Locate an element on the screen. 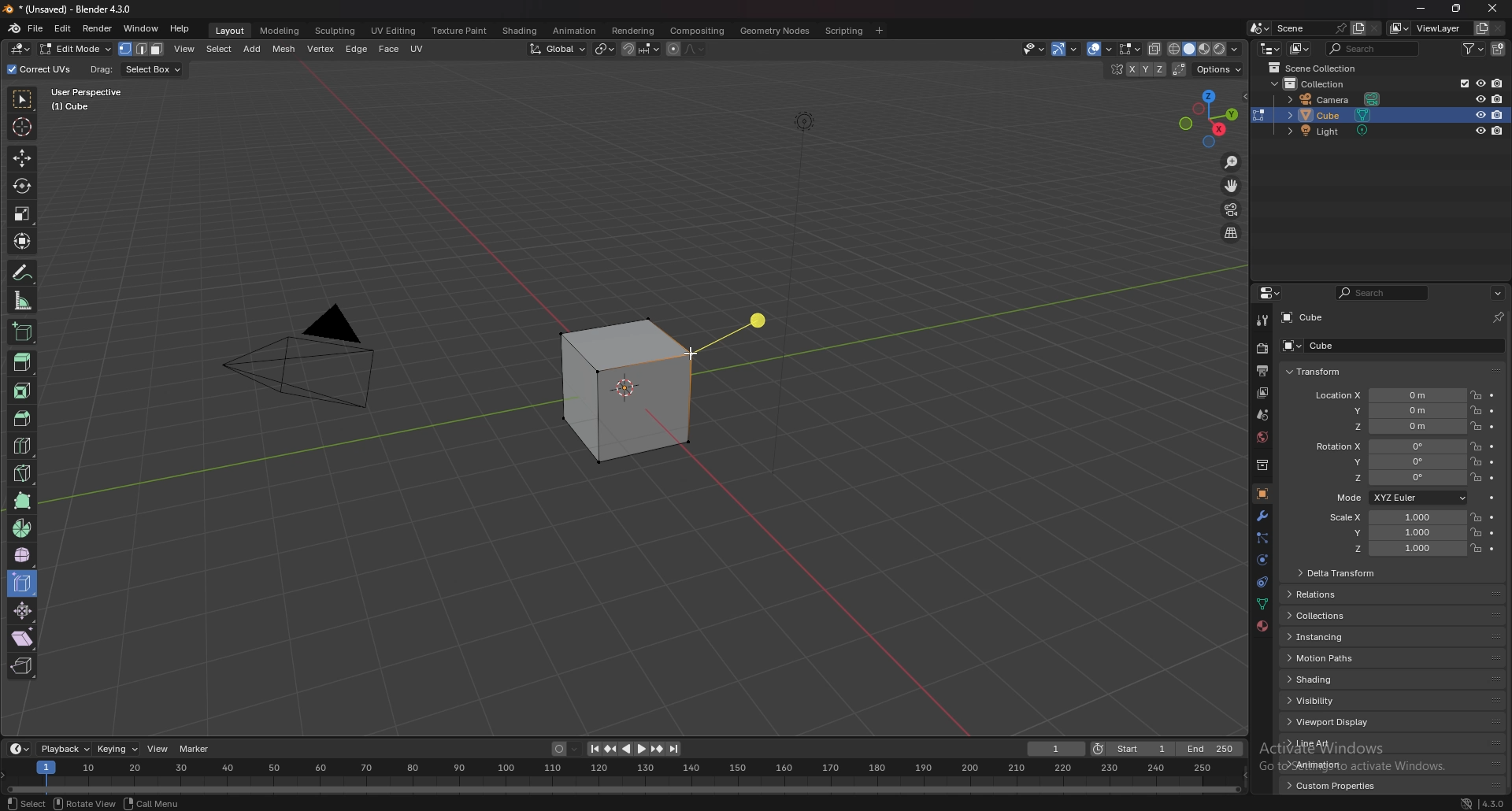  compositing is located at coordinates (698, 31).